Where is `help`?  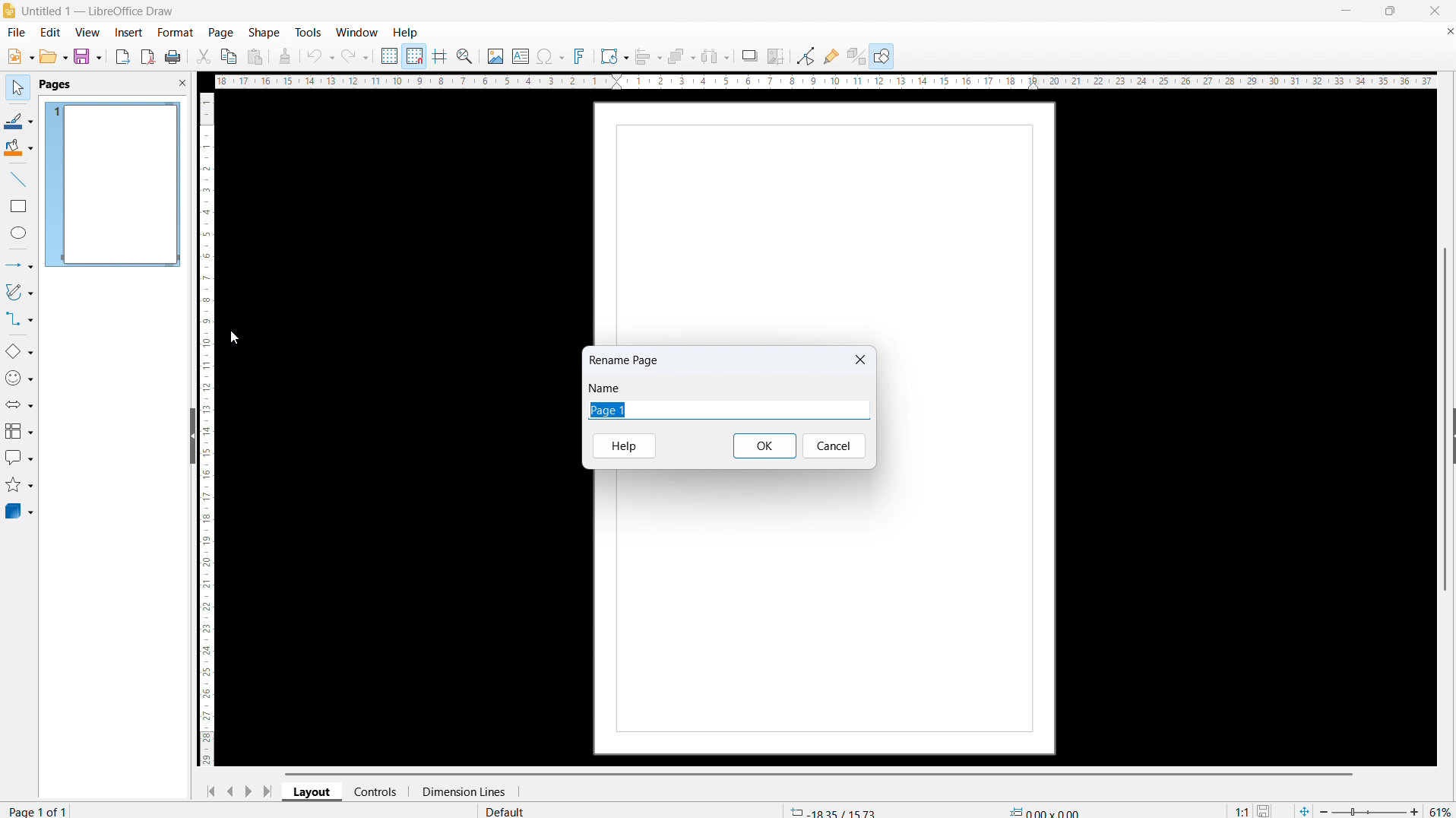
help is located at coordinates (623, 447).